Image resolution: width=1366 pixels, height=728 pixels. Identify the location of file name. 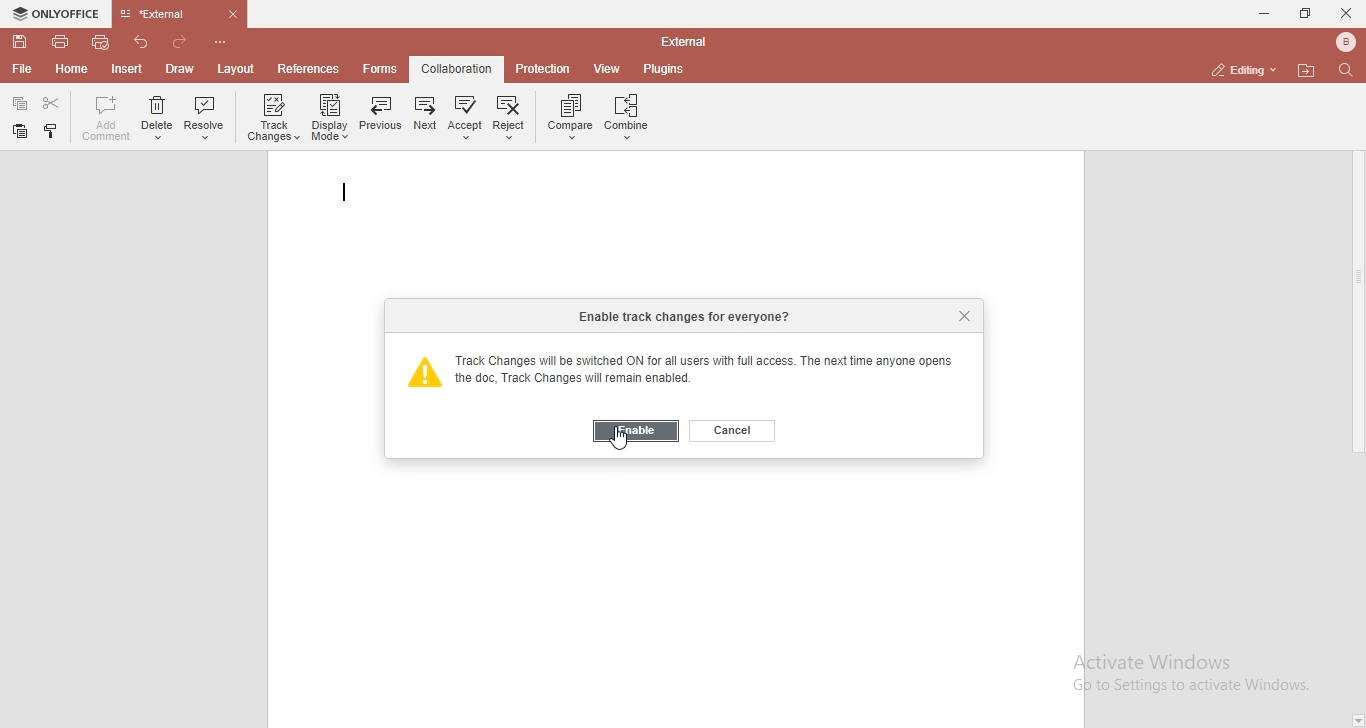
(683, 40).